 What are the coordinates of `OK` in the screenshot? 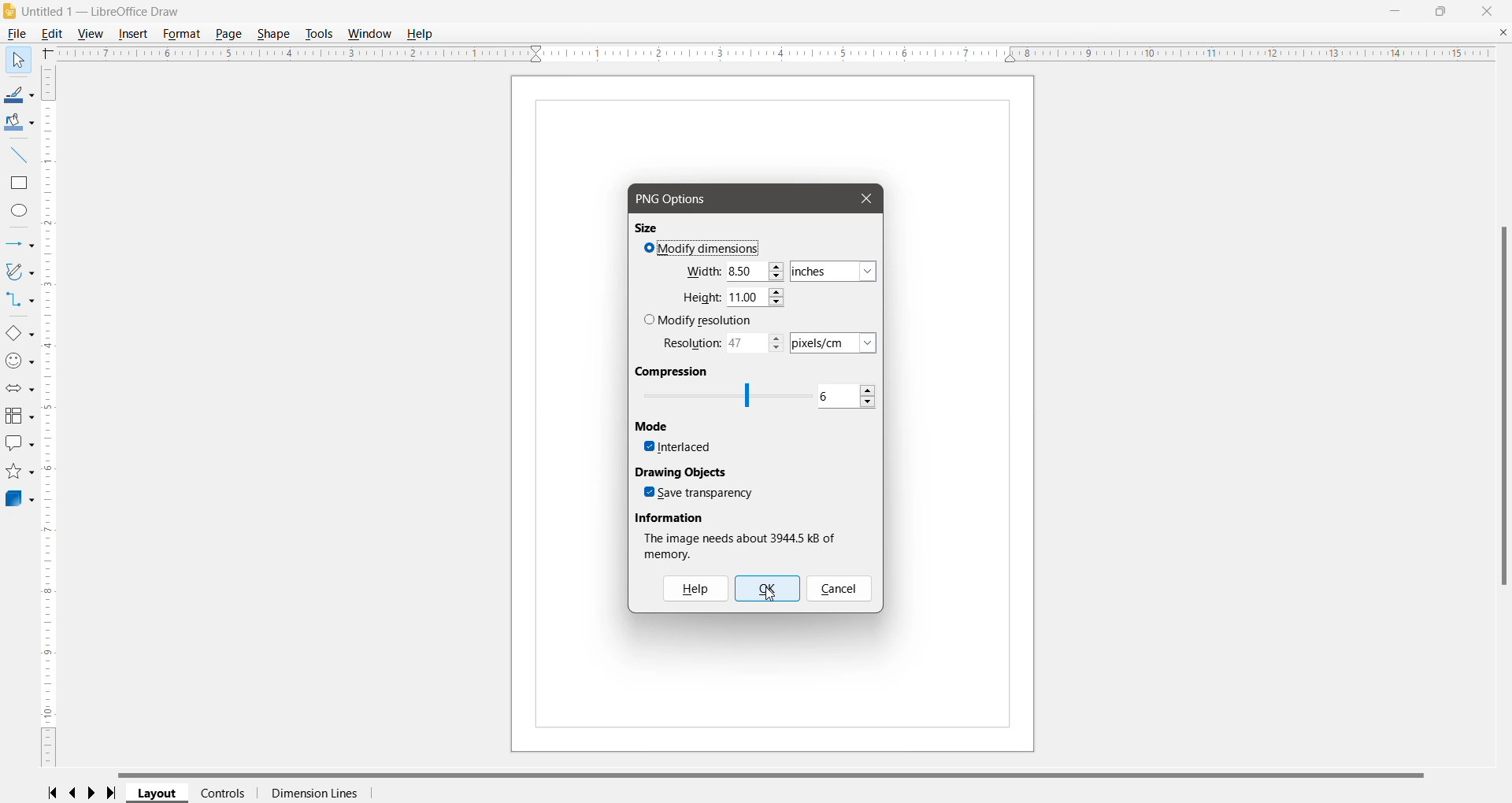 It's located at (767, 589).